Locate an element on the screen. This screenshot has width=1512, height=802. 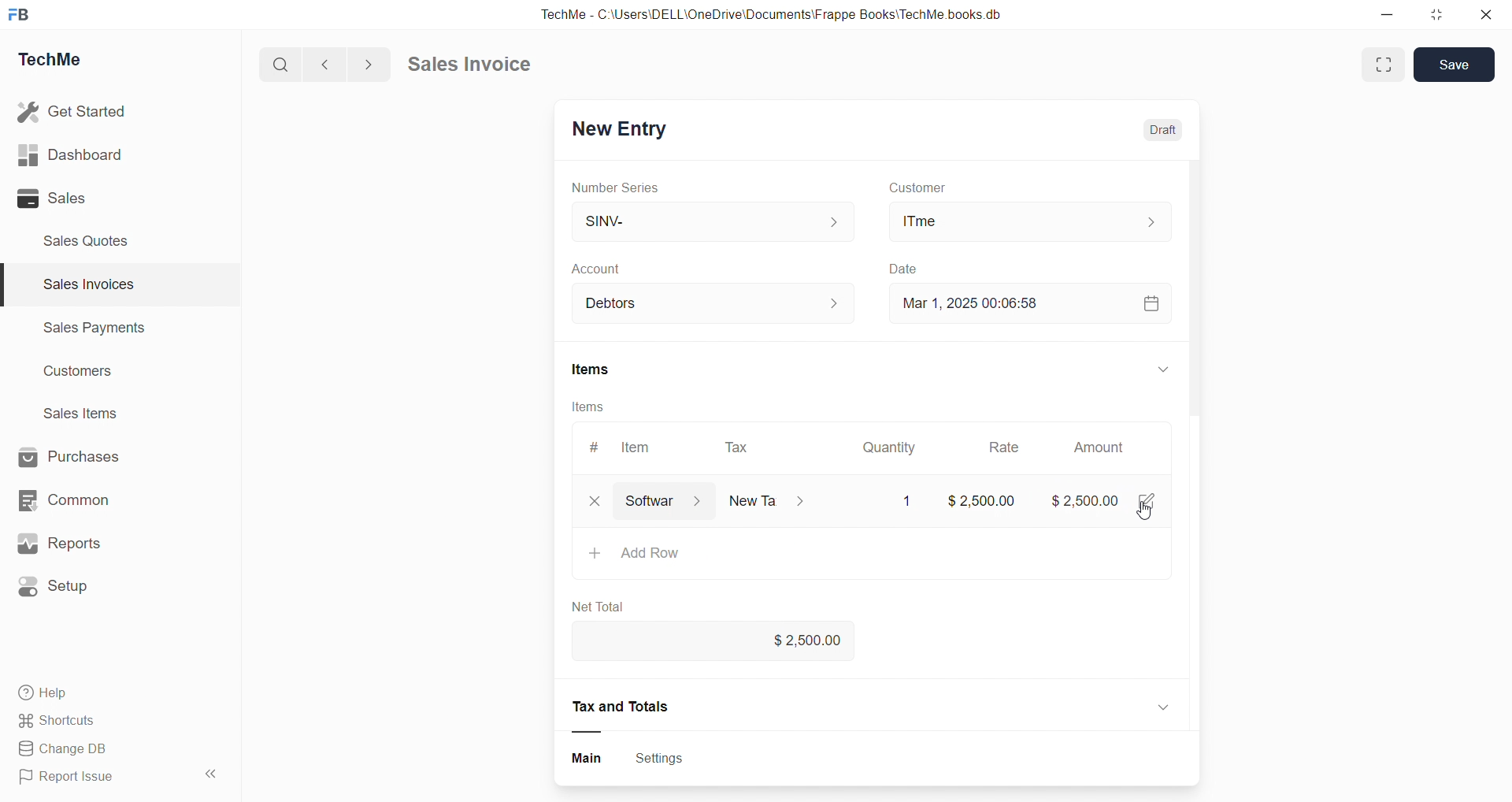
« is located at coordinates (212, 771).